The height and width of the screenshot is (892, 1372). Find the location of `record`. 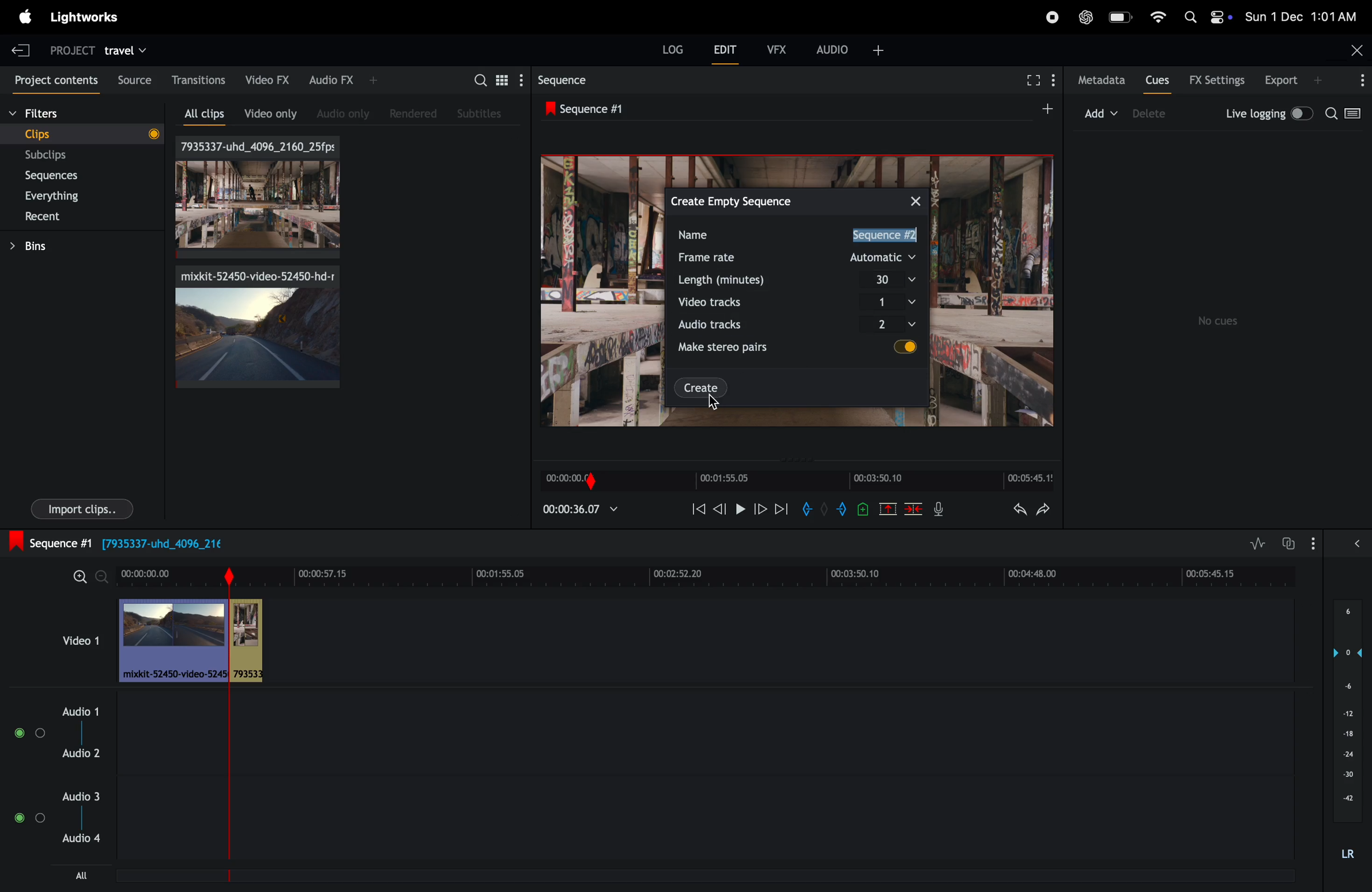

record is located at coordinates (1049, 18).